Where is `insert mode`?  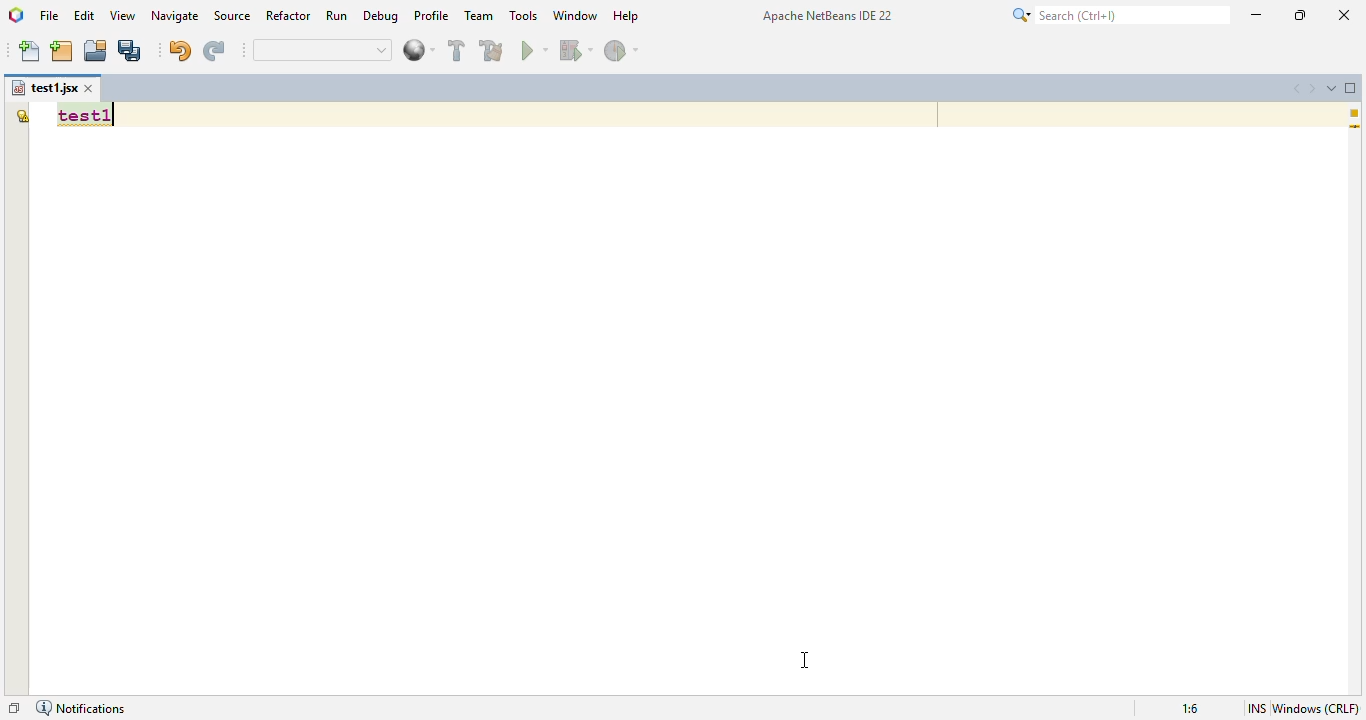
insert mode is located at coordinates (1258, 709).